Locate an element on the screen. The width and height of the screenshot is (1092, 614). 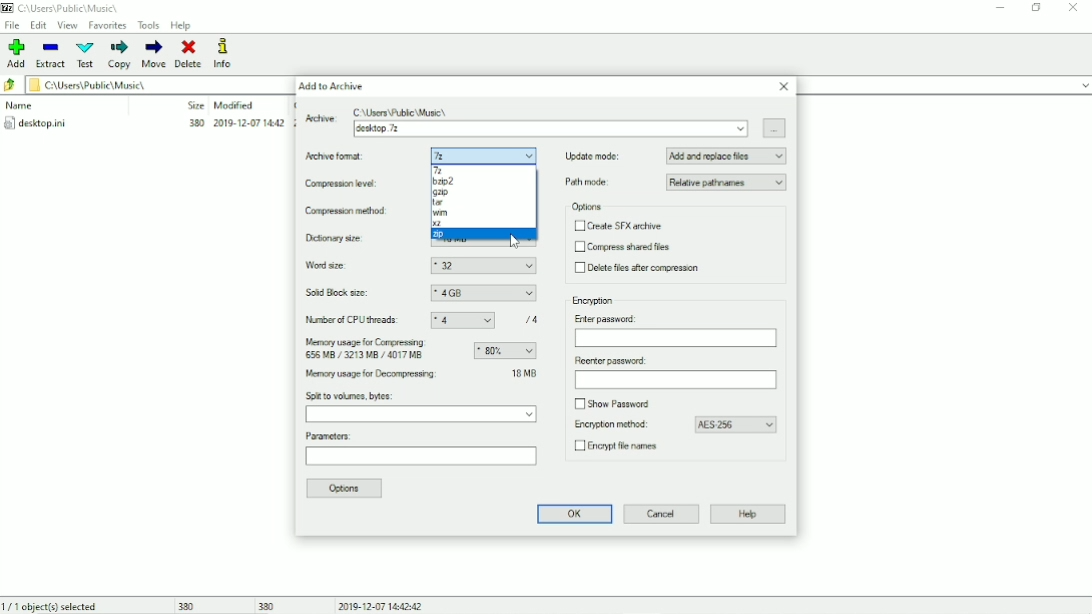
Modified is located at coordinates (235, 105).